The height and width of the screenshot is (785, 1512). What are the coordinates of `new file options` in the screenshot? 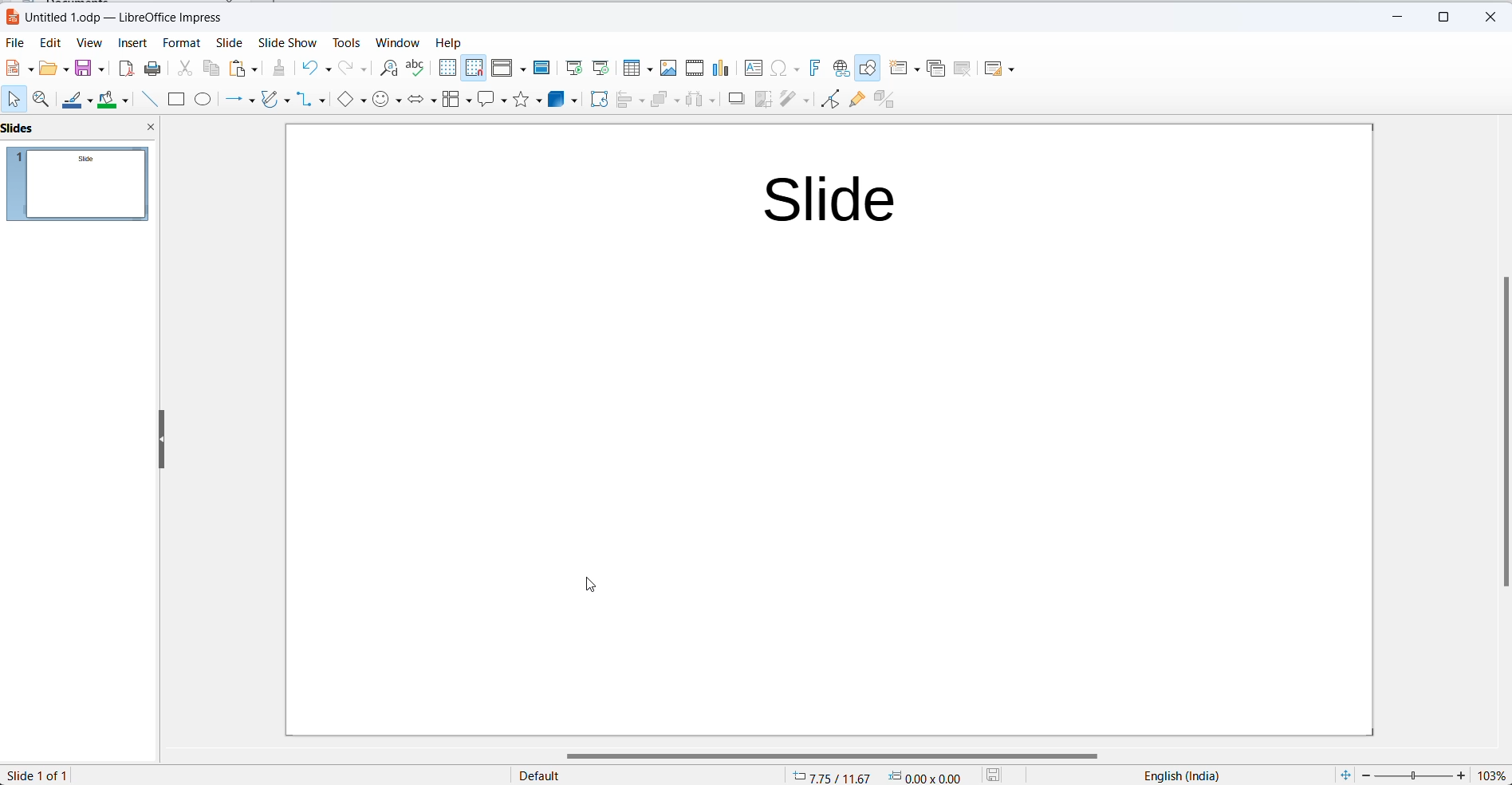 It's located at (18, 68).